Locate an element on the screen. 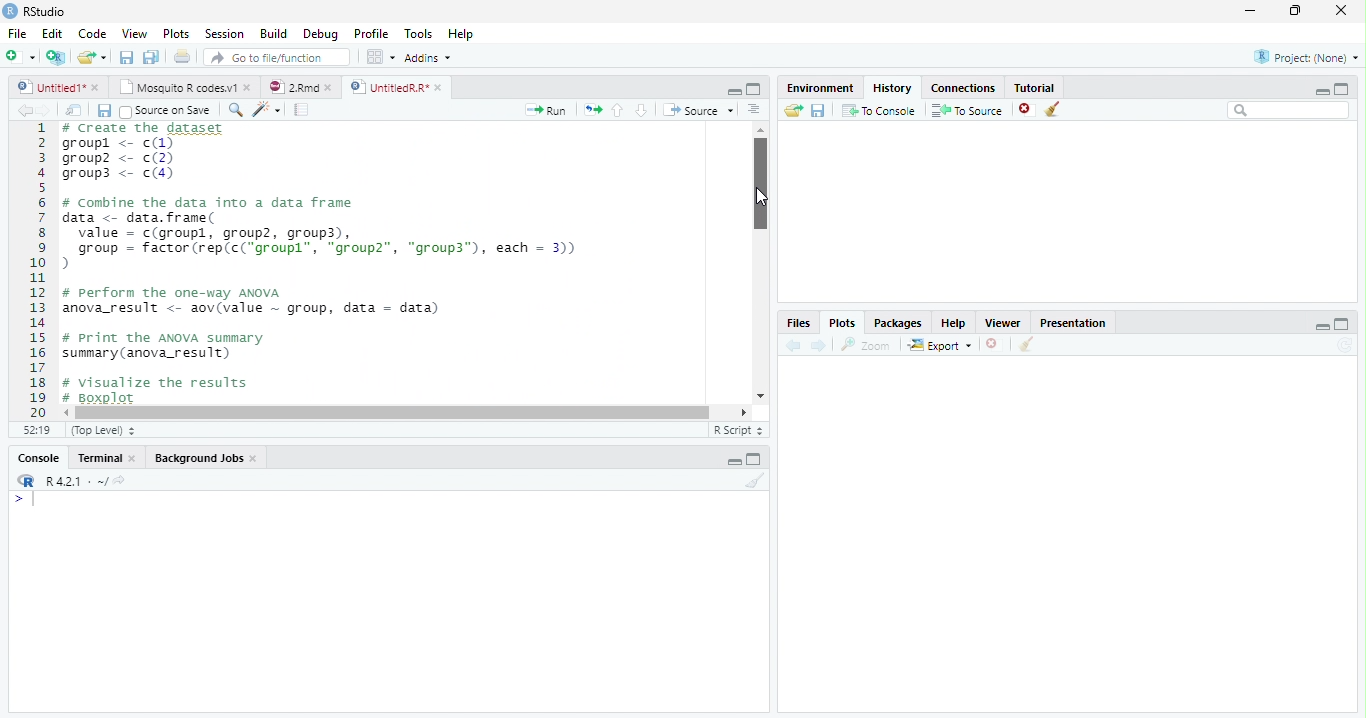  Show in new window is located at coordinates (77, 110).